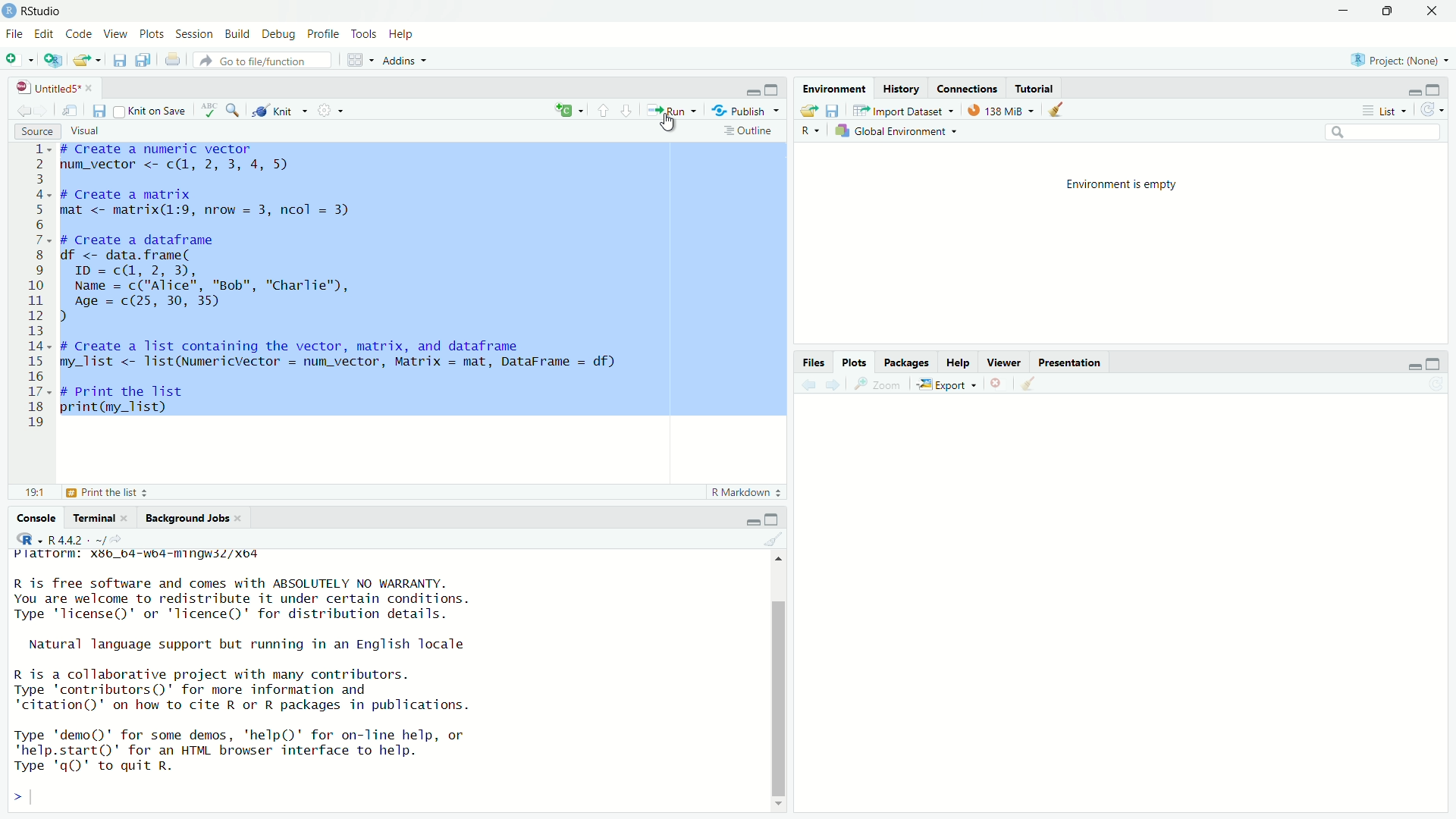  Describe the element at coordinates (99, 111) in the screenshot. I see `save` at that location.